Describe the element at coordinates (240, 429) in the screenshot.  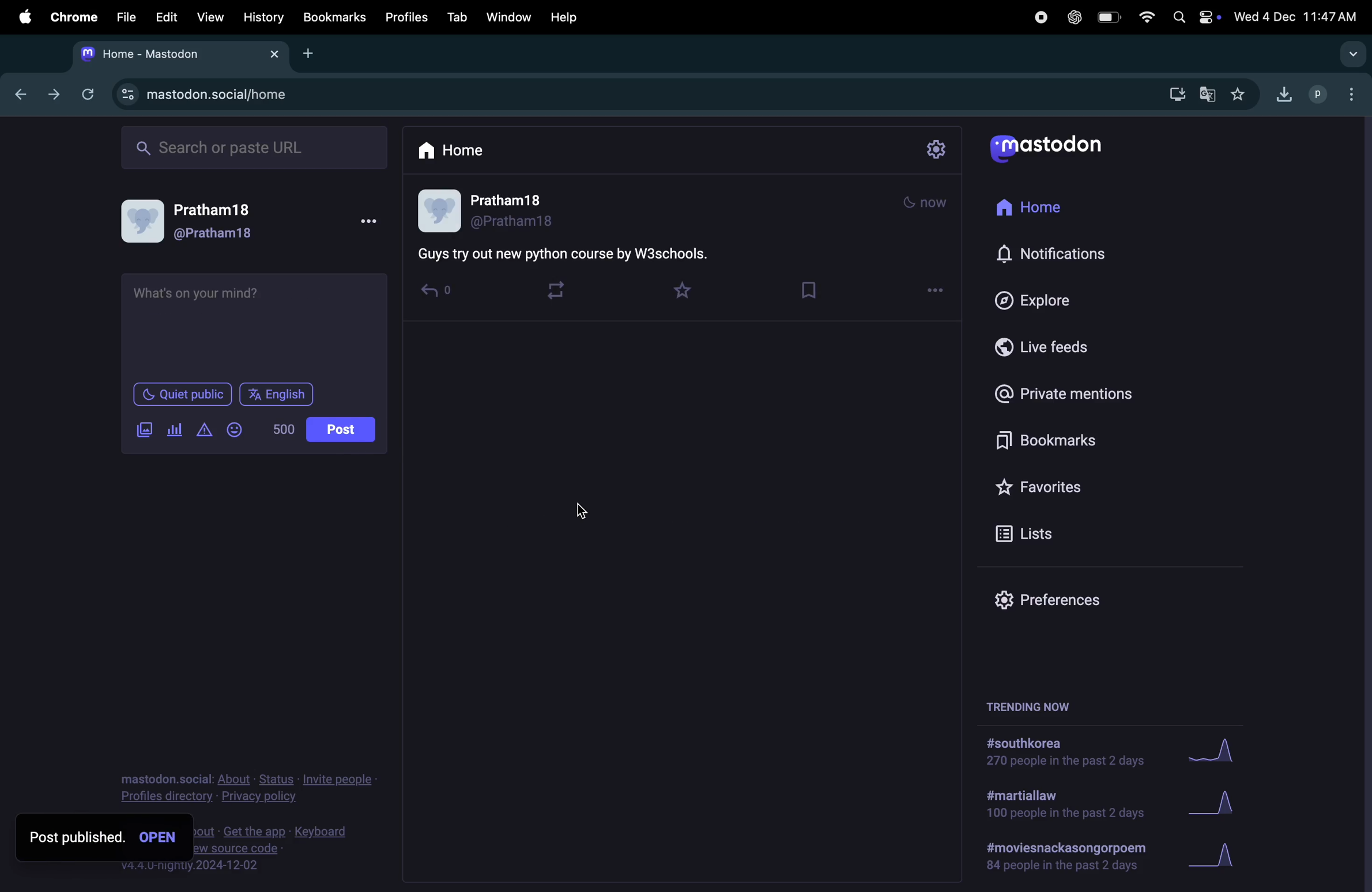
I see `emoji` at that location.